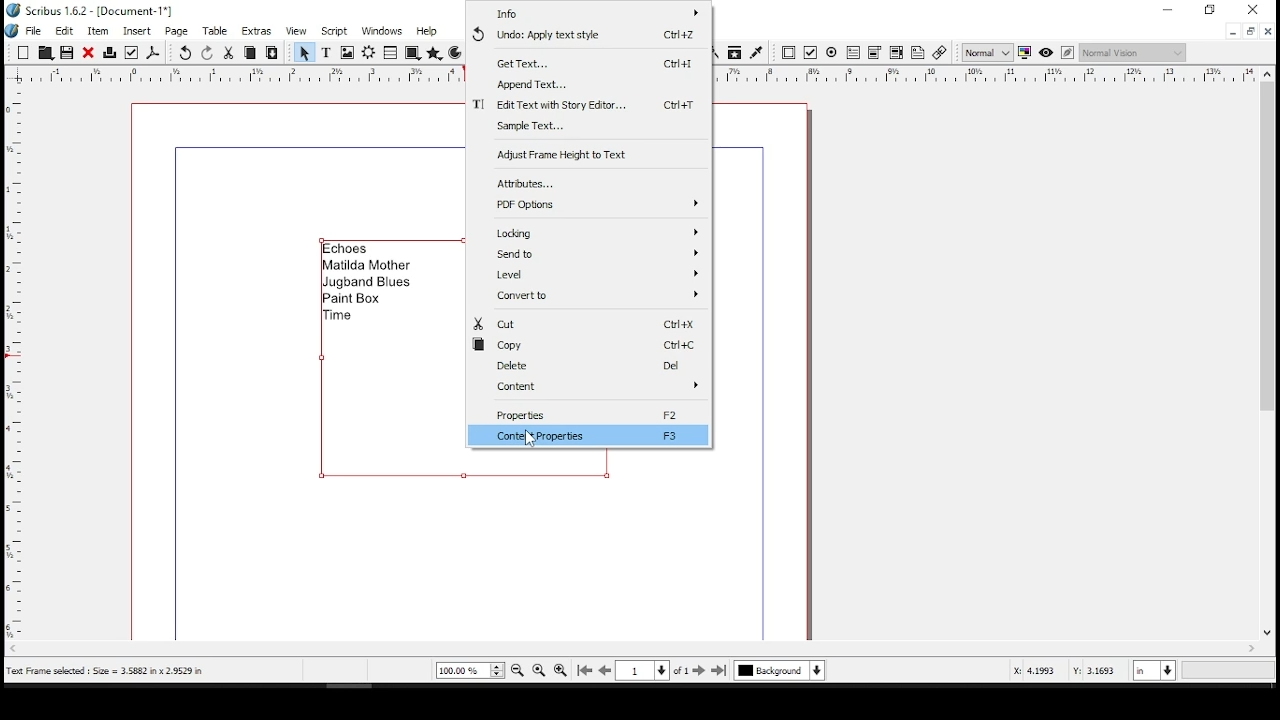 The height and width of the screenshot is (720, 1280). What do you see at coordinates (832, 53) in the screenshot?
I see `PDF radio button` at bounding box center [832, 53].